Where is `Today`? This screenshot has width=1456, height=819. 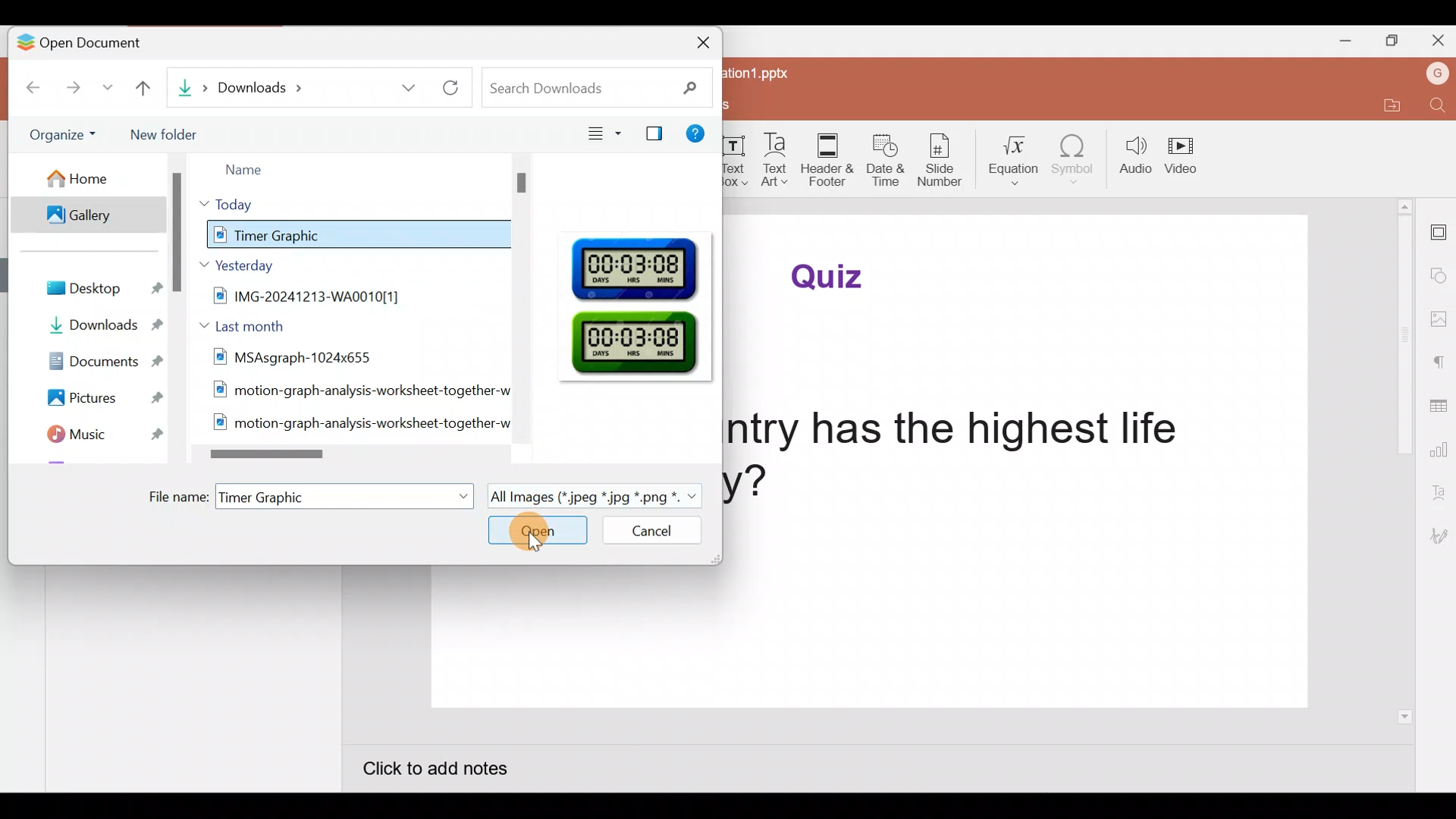 Today is located at coordinates (243, 203).